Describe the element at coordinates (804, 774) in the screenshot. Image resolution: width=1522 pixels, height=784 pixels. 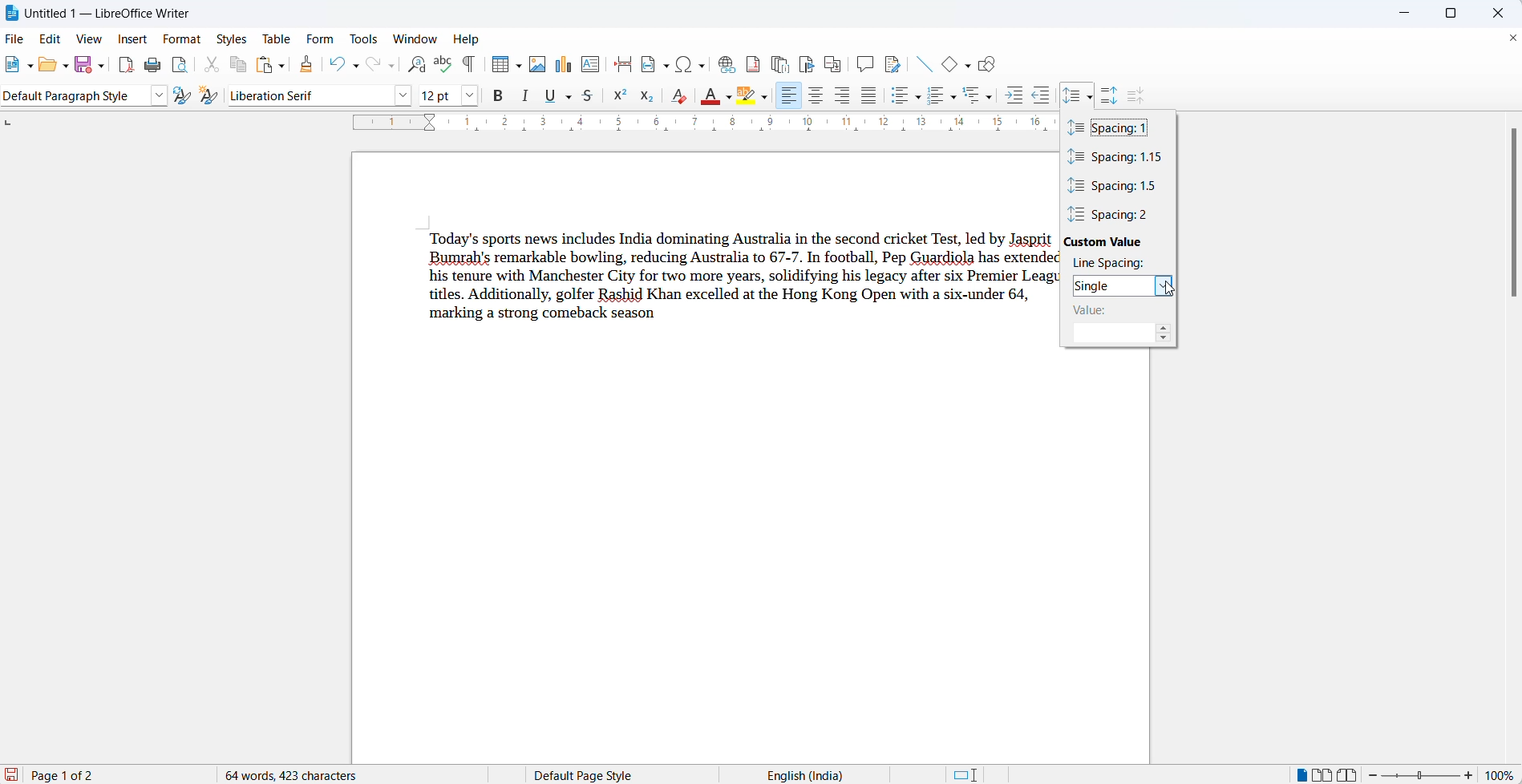
I see `text language` at that location.